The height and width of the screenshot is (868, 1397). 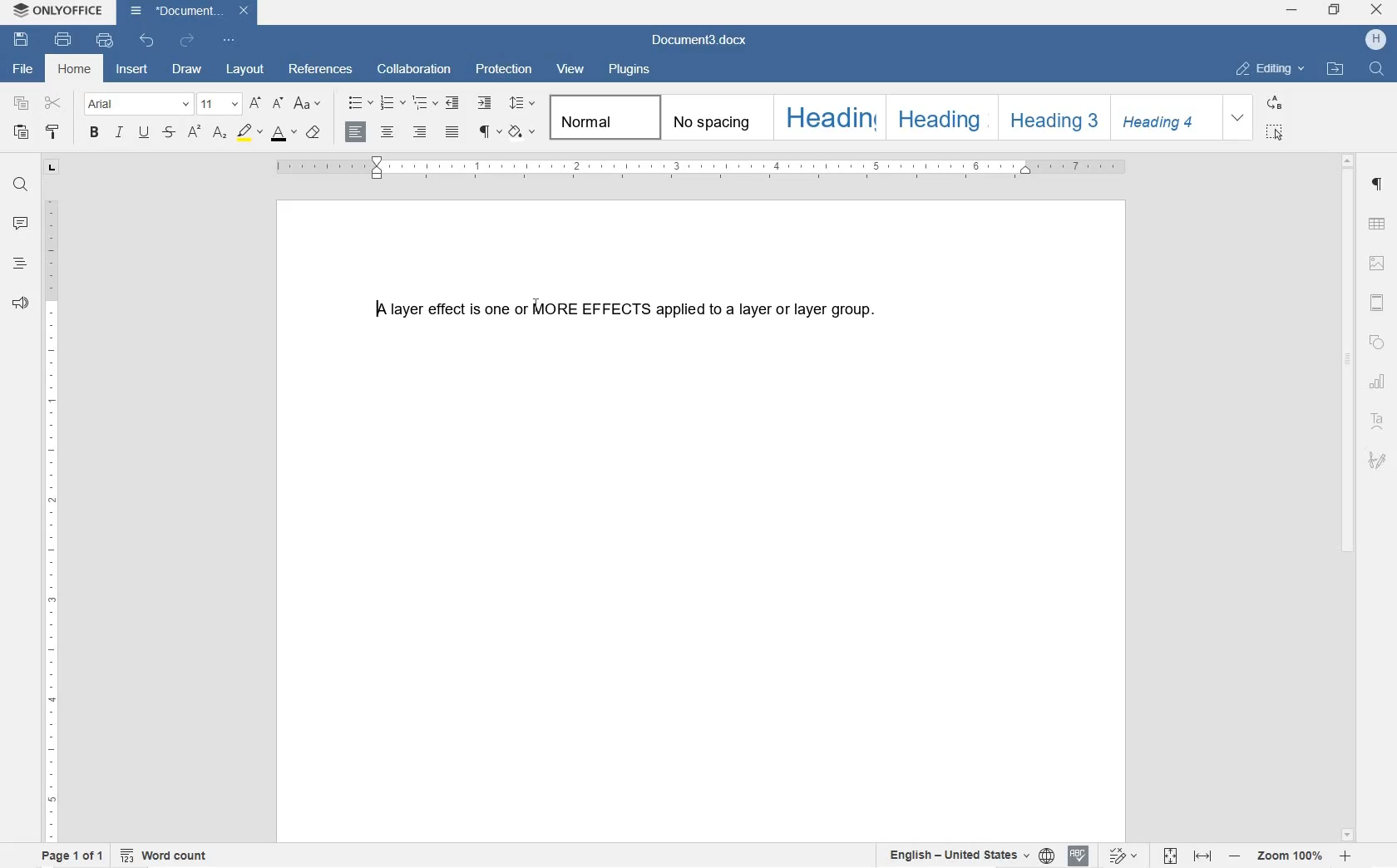 I want to click on PROTECTION, so click(x=504, y=70).